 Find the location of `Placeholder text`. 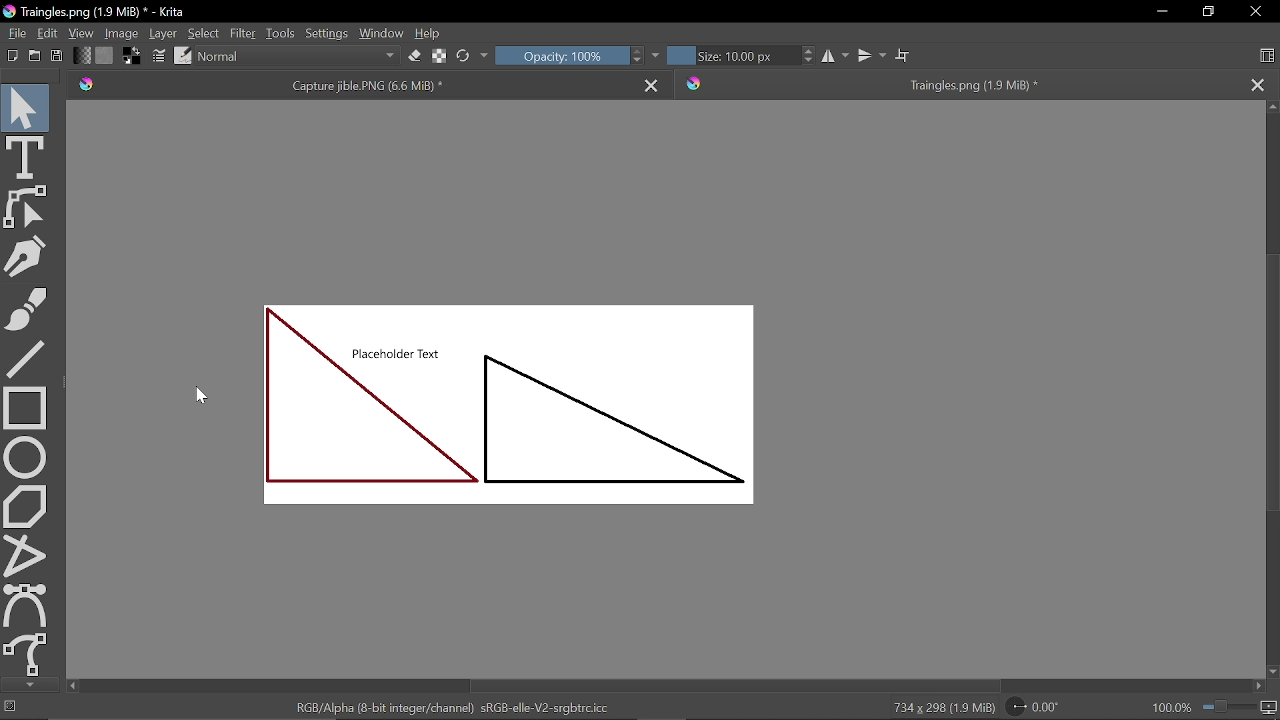

Placeholder text is located at coordinates (399, 351).